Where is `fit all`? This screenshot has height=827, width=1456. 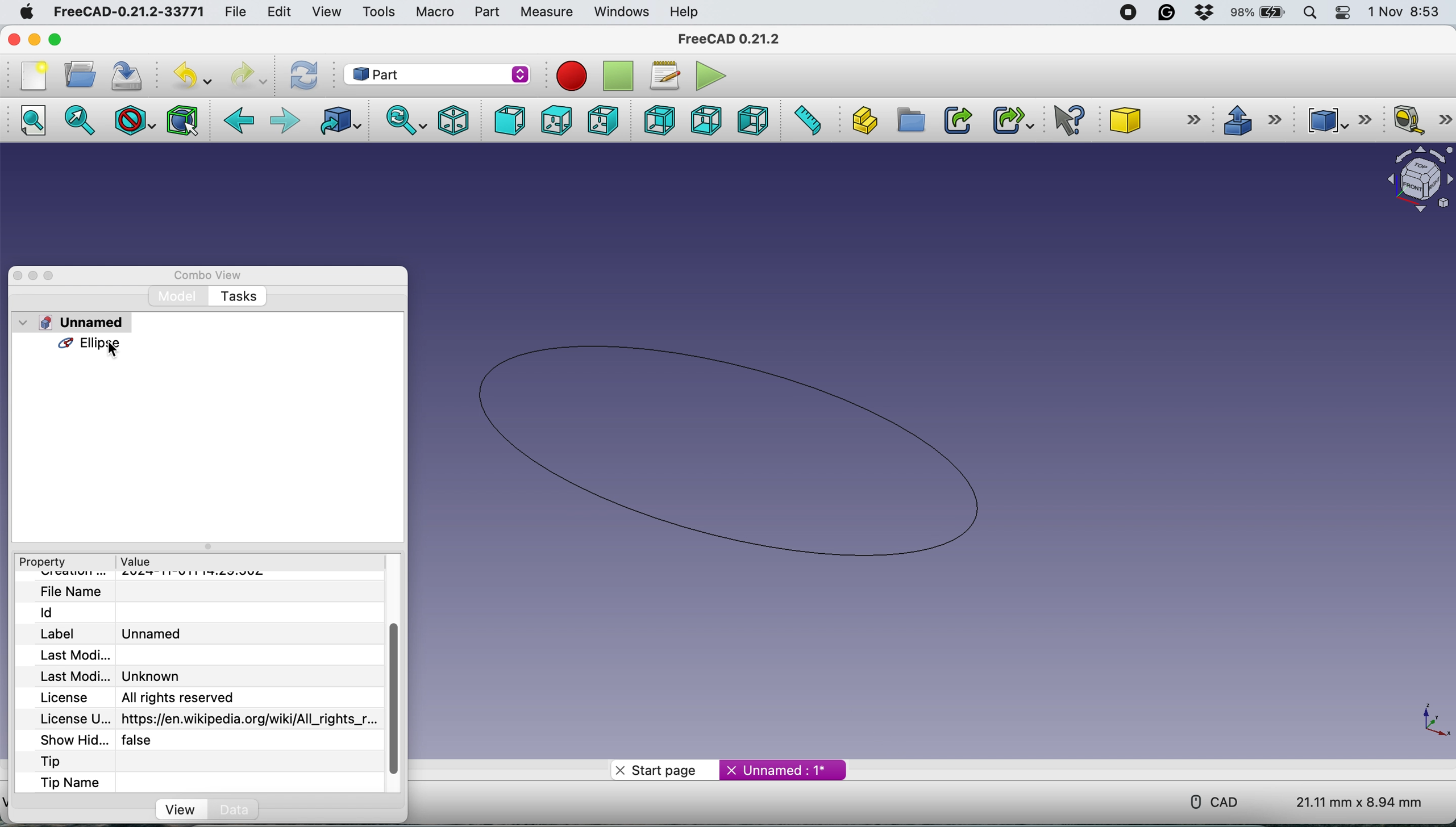
fit all is located at coordinates (39, 120).